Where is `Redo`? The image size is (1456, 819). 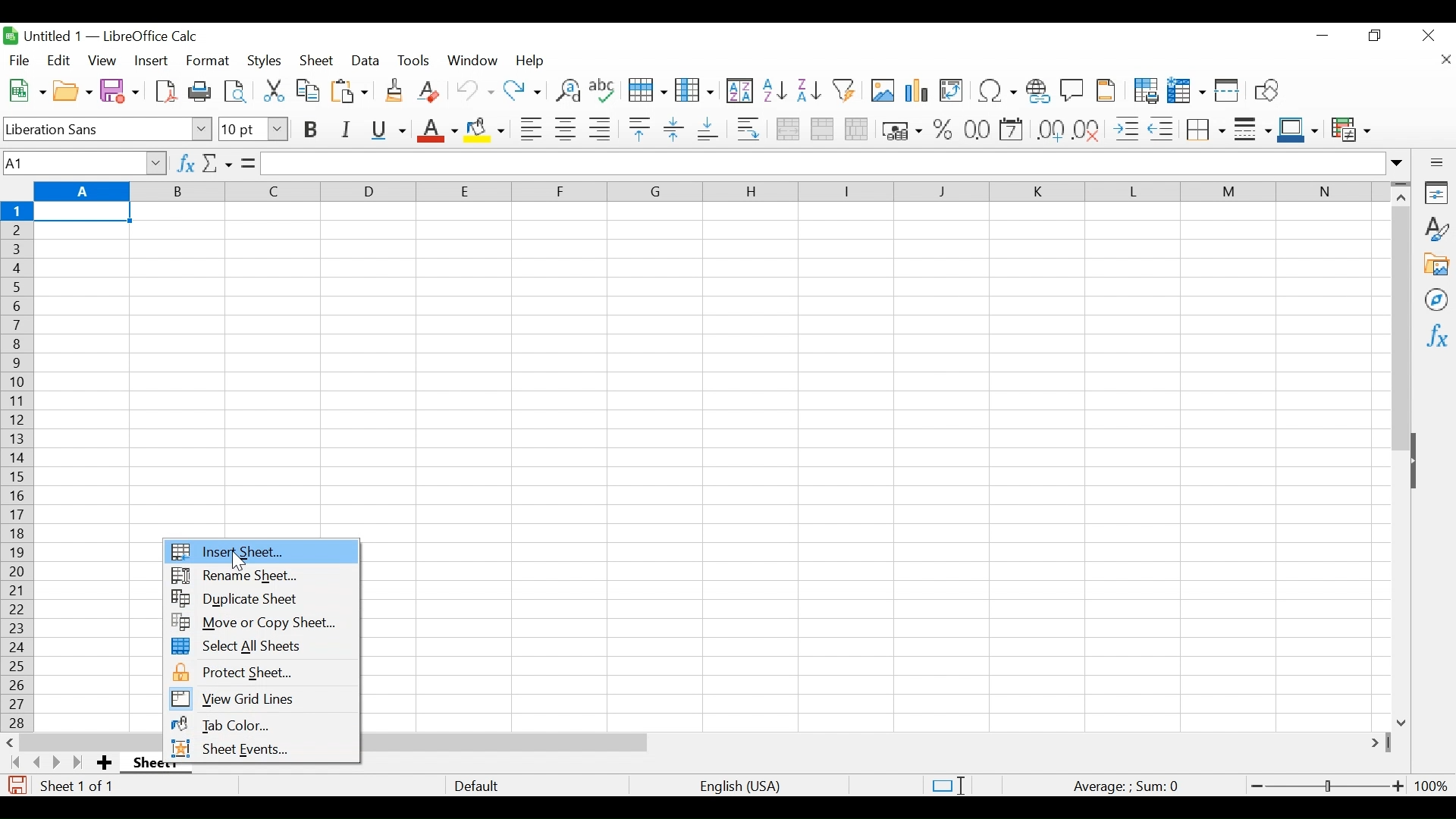
Redo is located at coordinates (522, 91).